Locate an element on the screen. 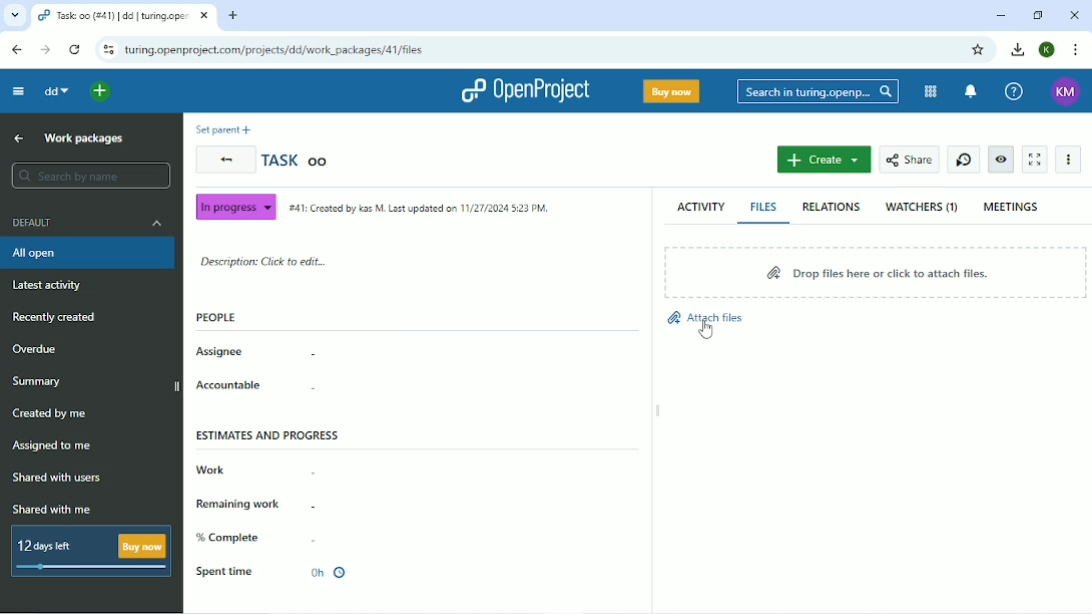 The height and width of the screenshot is (614, 1092). Download is located at coordinates (1018, 50).